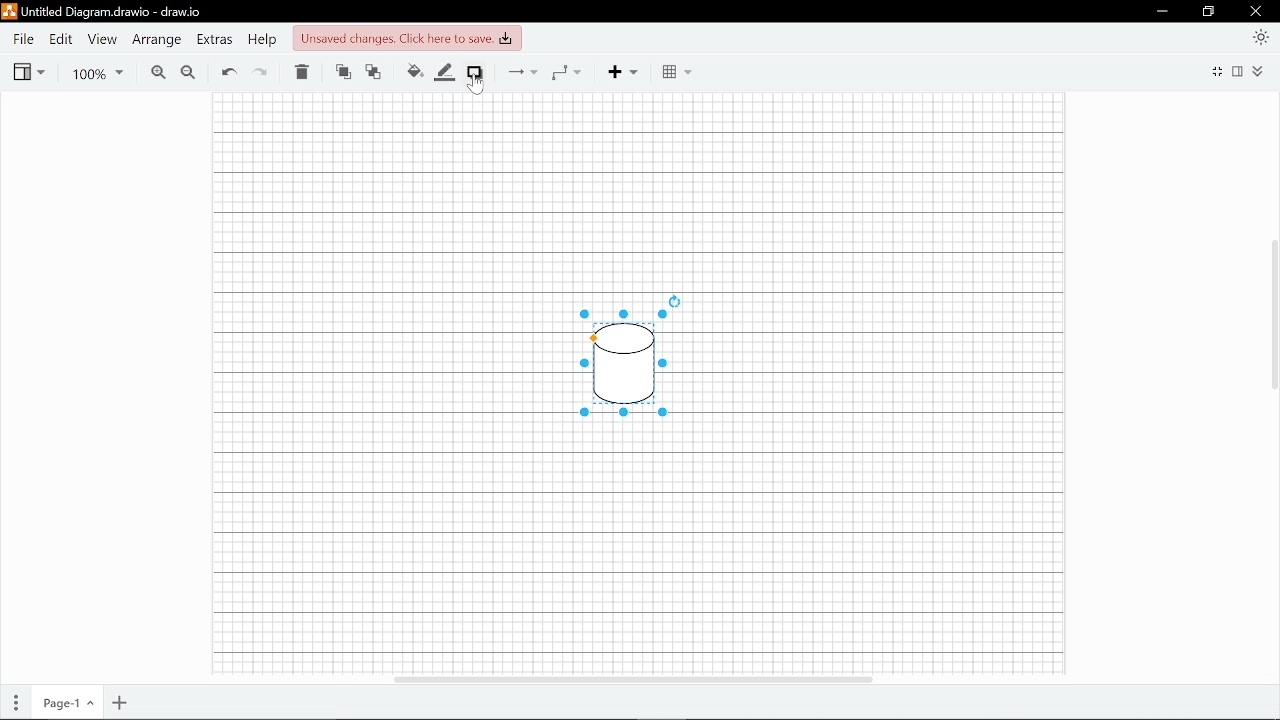 Image resolution: width=1280 pixels, height=720 pixels. What do you see at coordinates (406, 38) in the screenshot?
I see `Unsaved changes, Click here to save` at bounding box center [406, 38].